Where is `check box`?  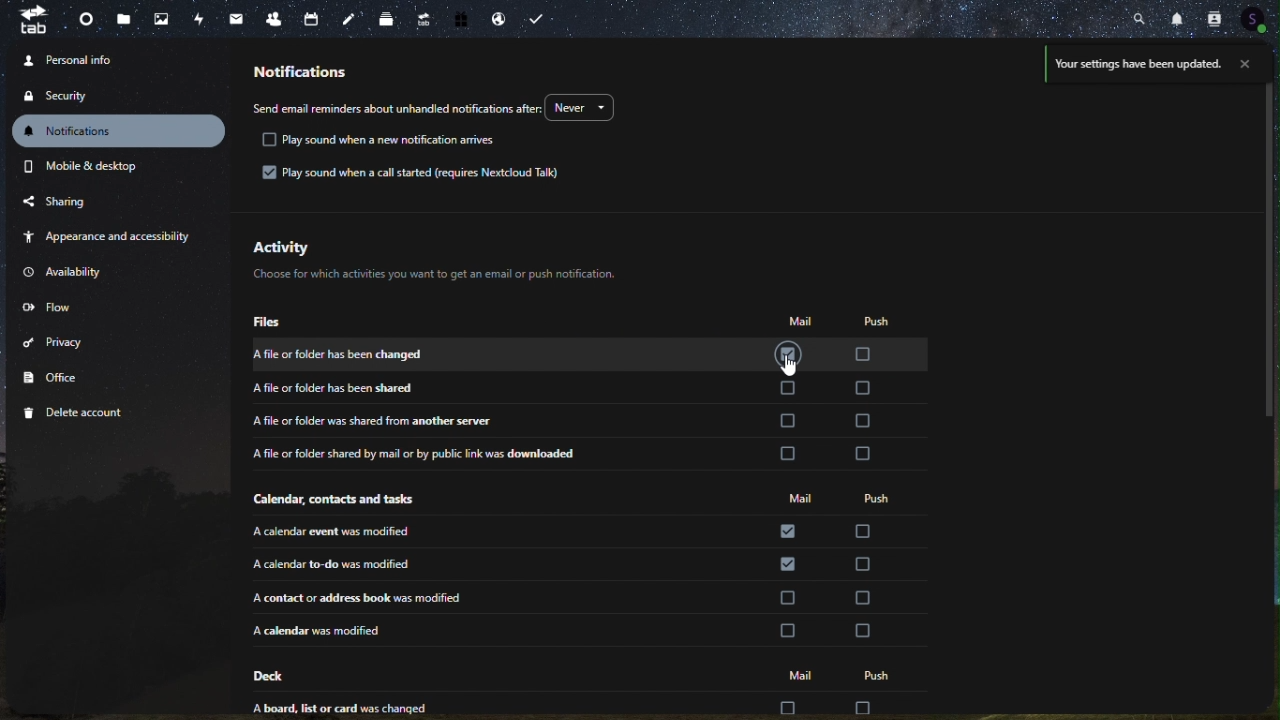 check box is located at coordinates (267, 171).